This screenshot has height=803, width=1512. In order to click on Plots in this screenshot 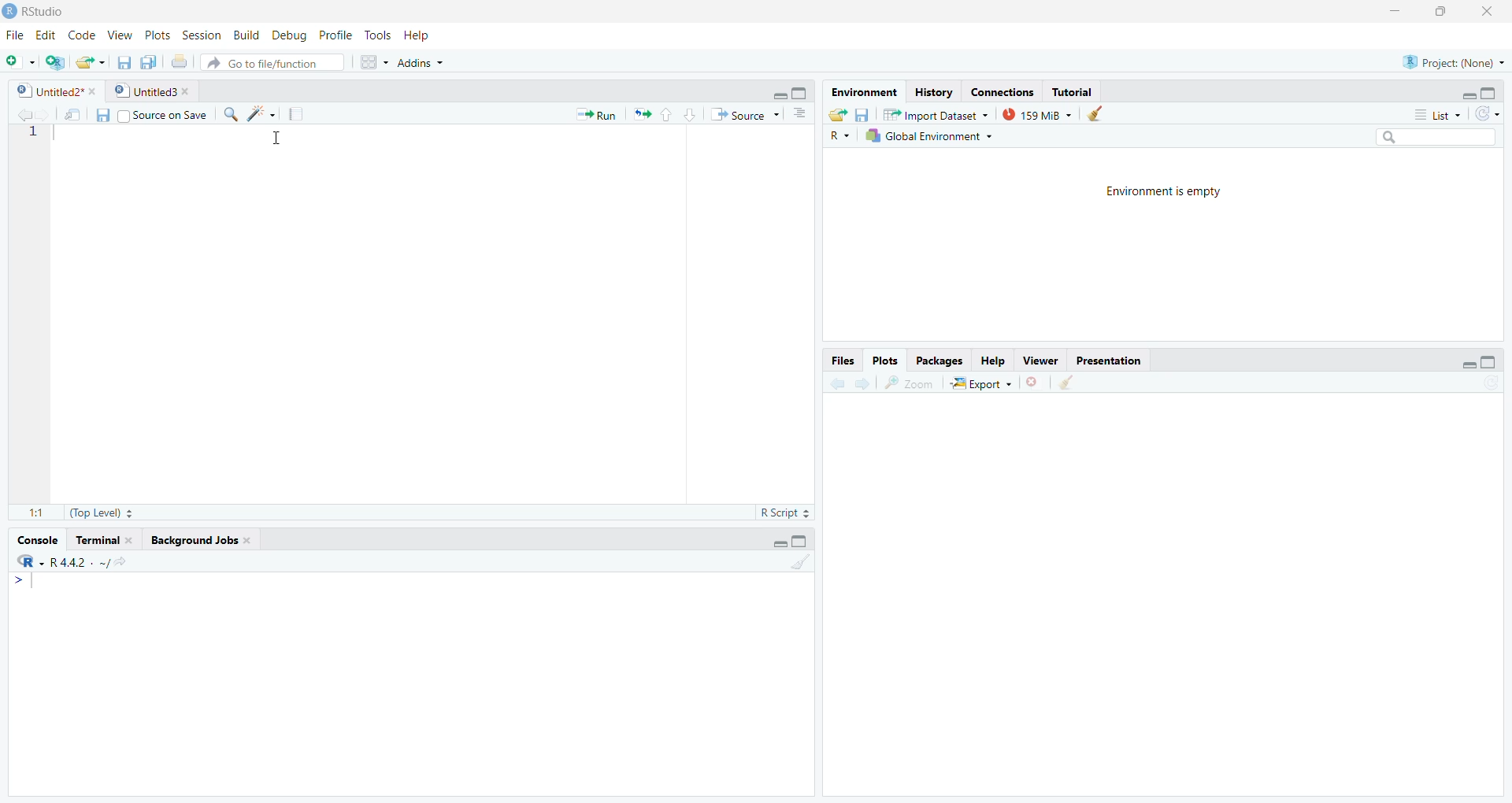, I will do `click(155, 35)`.